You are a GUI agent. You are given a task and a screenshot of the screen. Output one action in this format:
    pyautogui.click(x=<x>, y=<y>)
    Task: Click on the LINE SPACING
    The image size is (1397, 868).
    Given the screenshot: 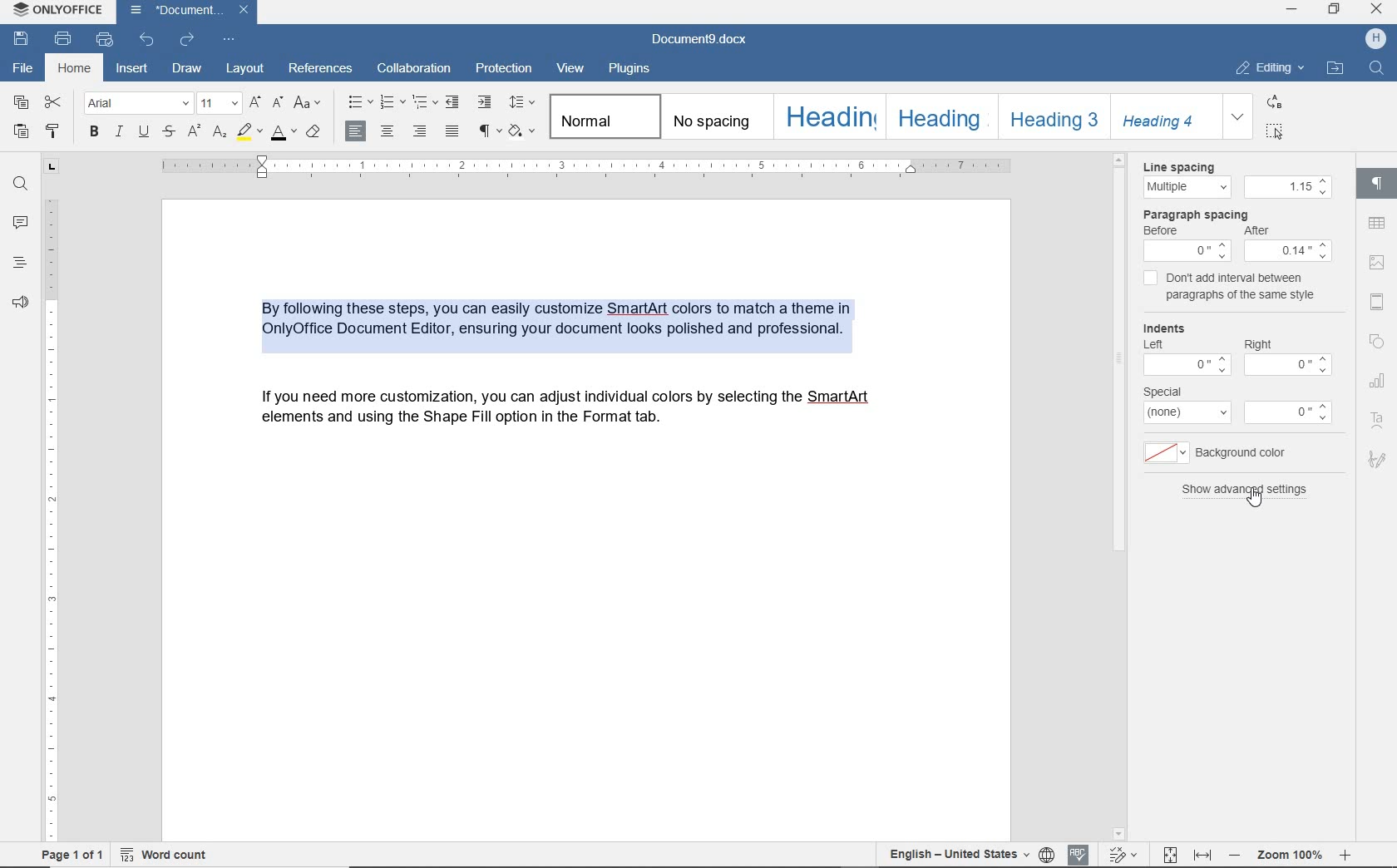 What is the action you would take?
    pyautogui.click(x=1182, y=164)
    